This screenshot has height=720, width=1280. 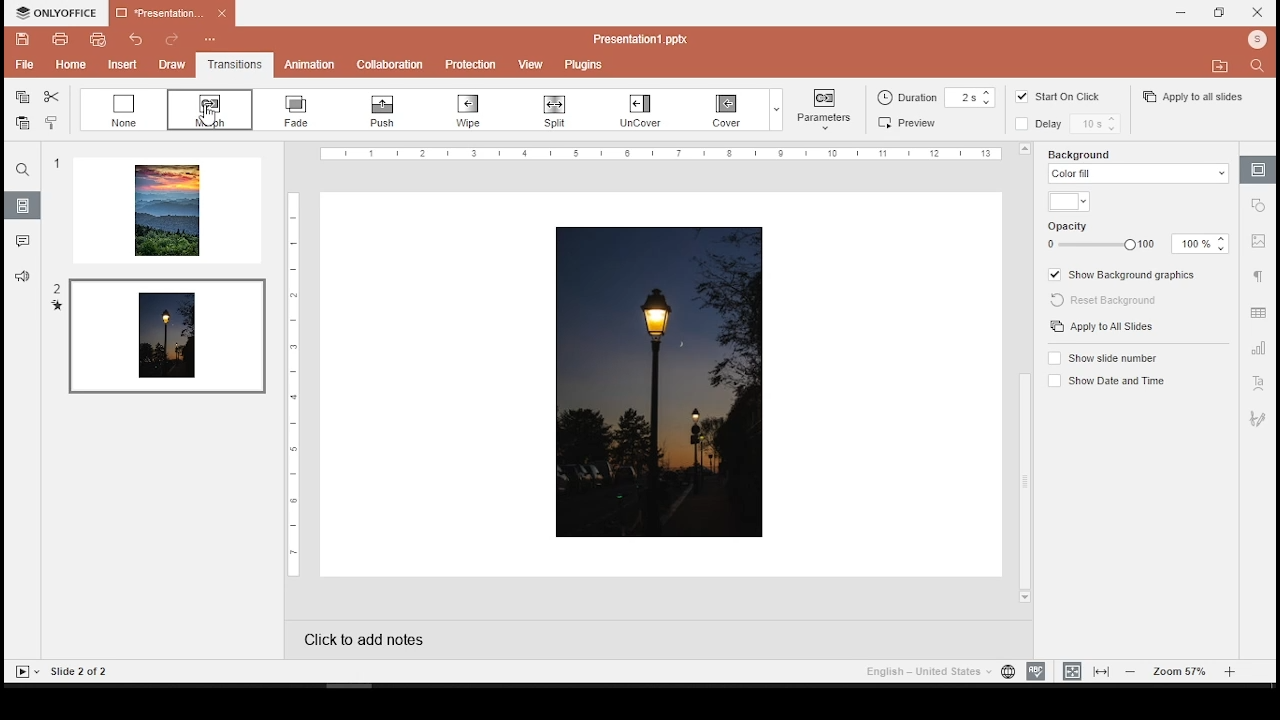 I want to click on , so click(x=1259, y=421).